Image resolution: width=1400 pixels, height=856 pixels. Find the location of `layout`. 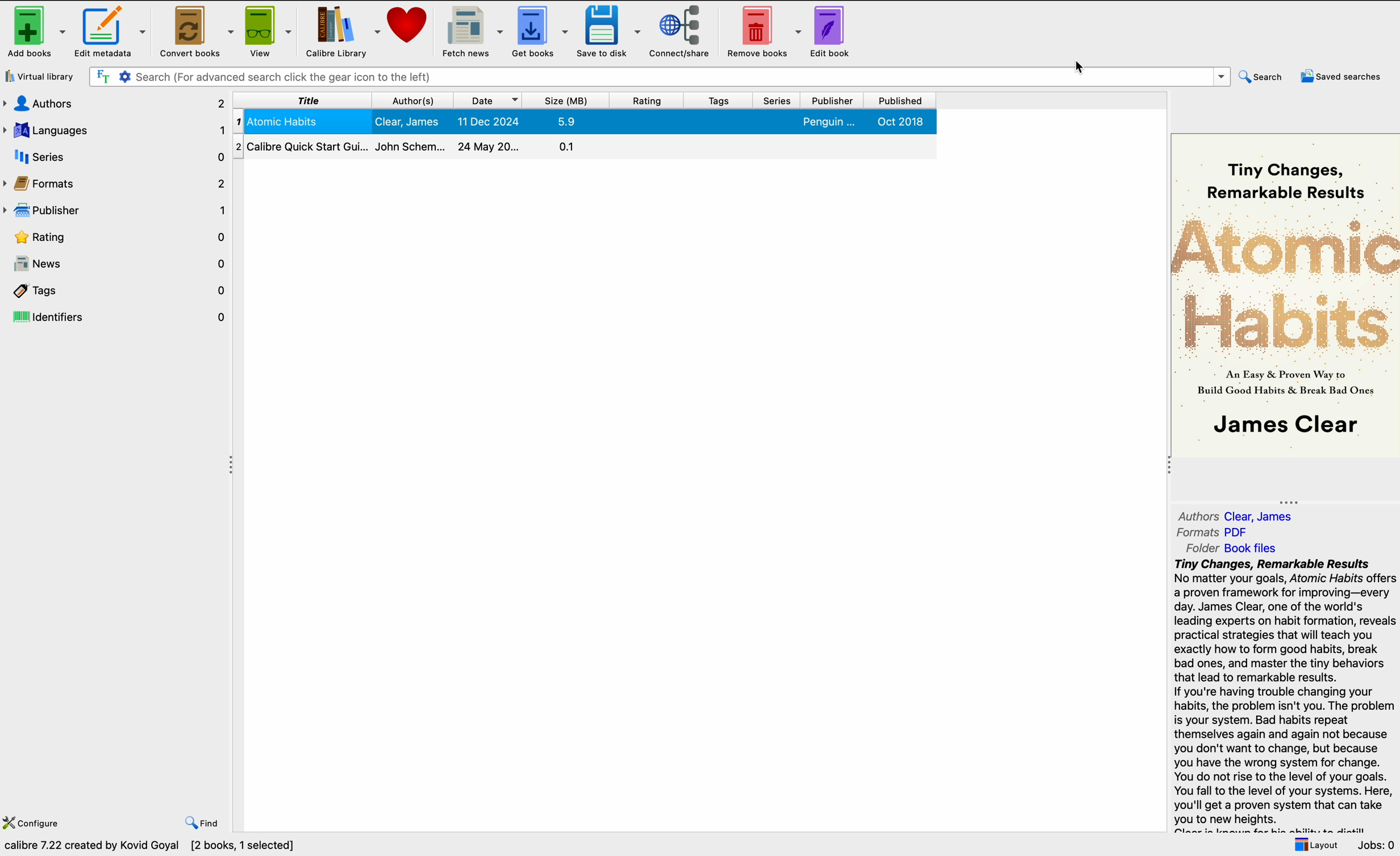

layout is located at coordinates (1315, 845).